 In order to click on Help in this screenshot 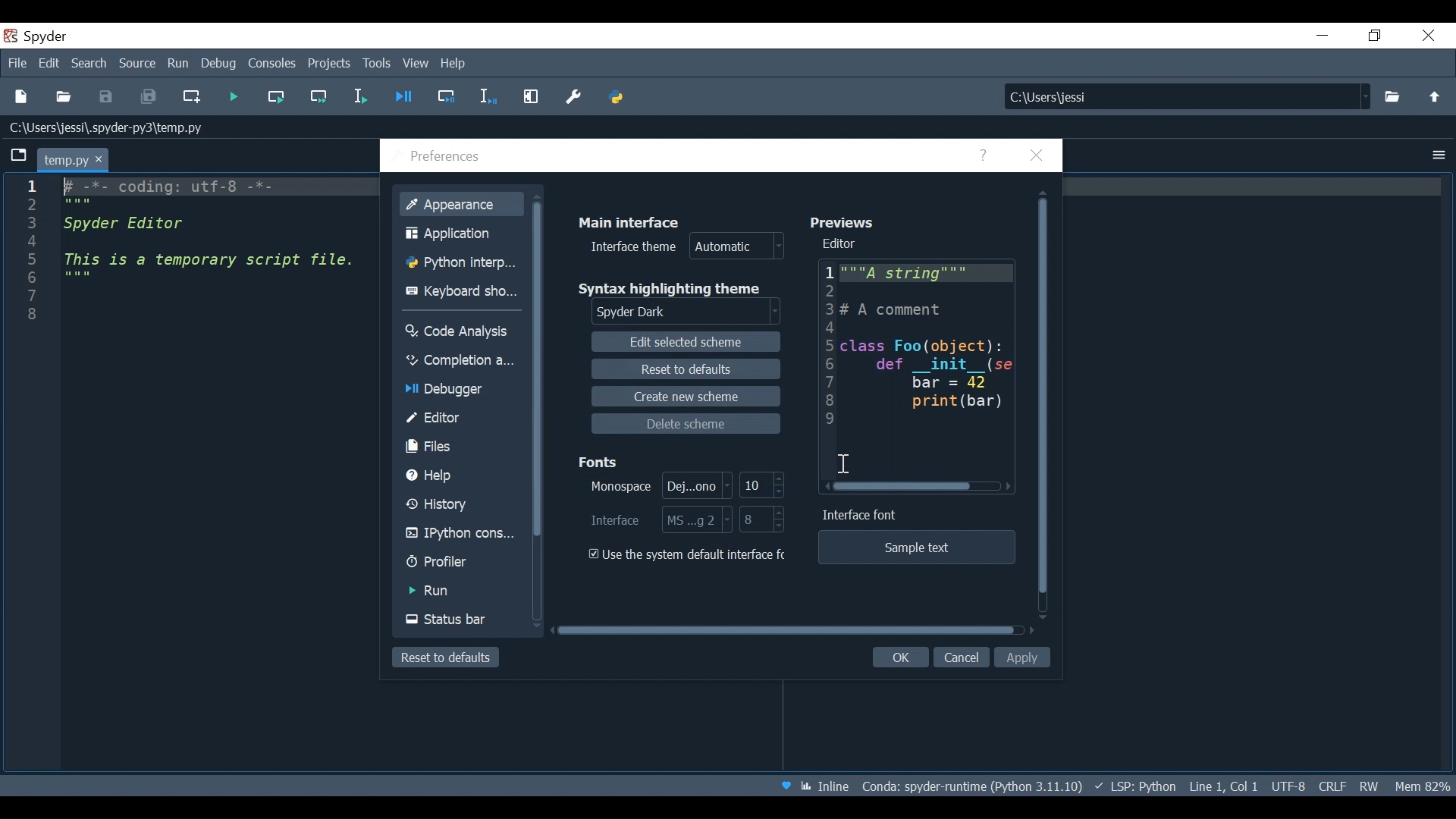, I will do `click(984, 155)`.